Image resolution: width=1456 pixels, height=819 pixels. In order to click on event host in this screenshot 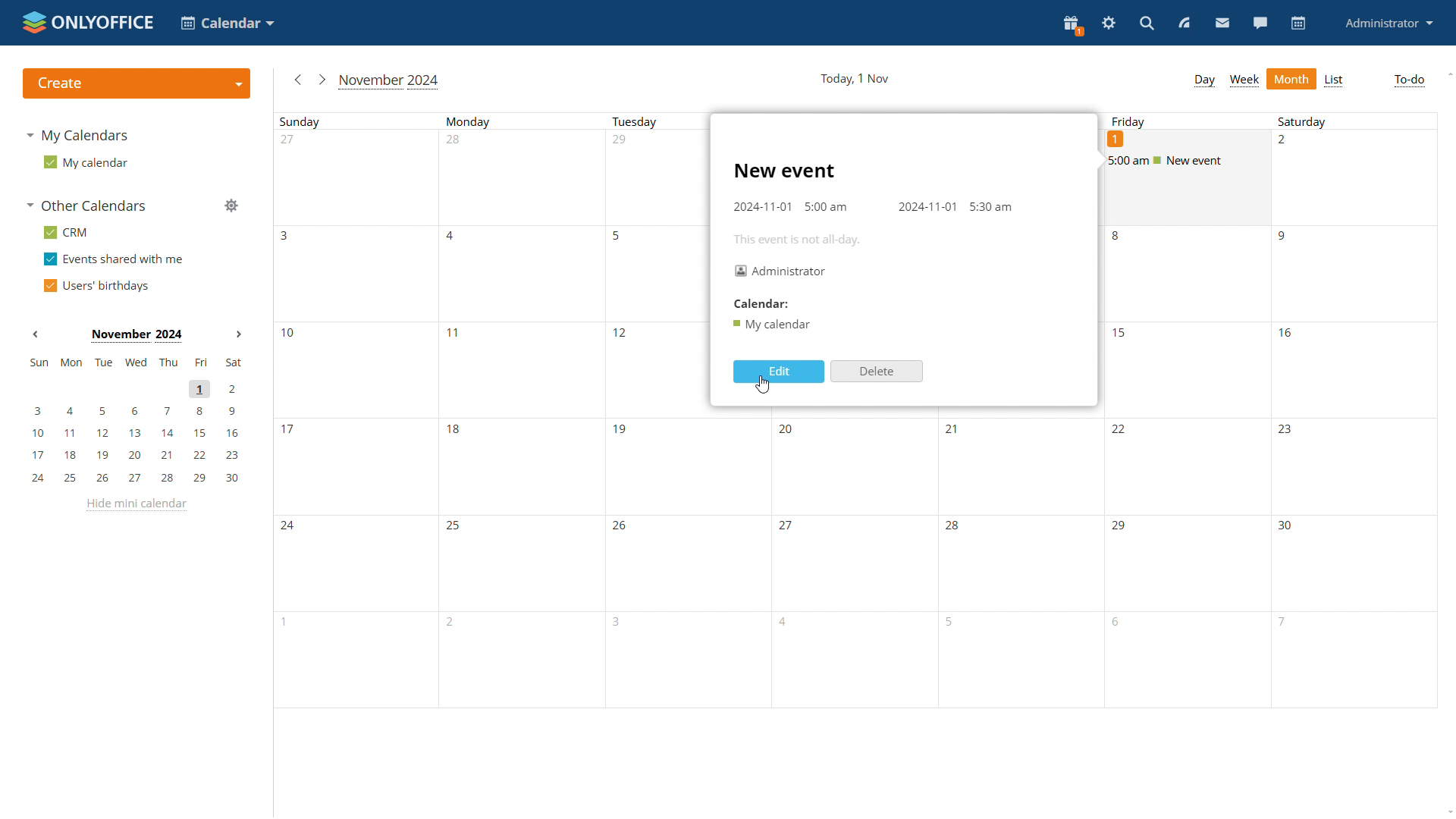, I will do `click(780, 271)`.